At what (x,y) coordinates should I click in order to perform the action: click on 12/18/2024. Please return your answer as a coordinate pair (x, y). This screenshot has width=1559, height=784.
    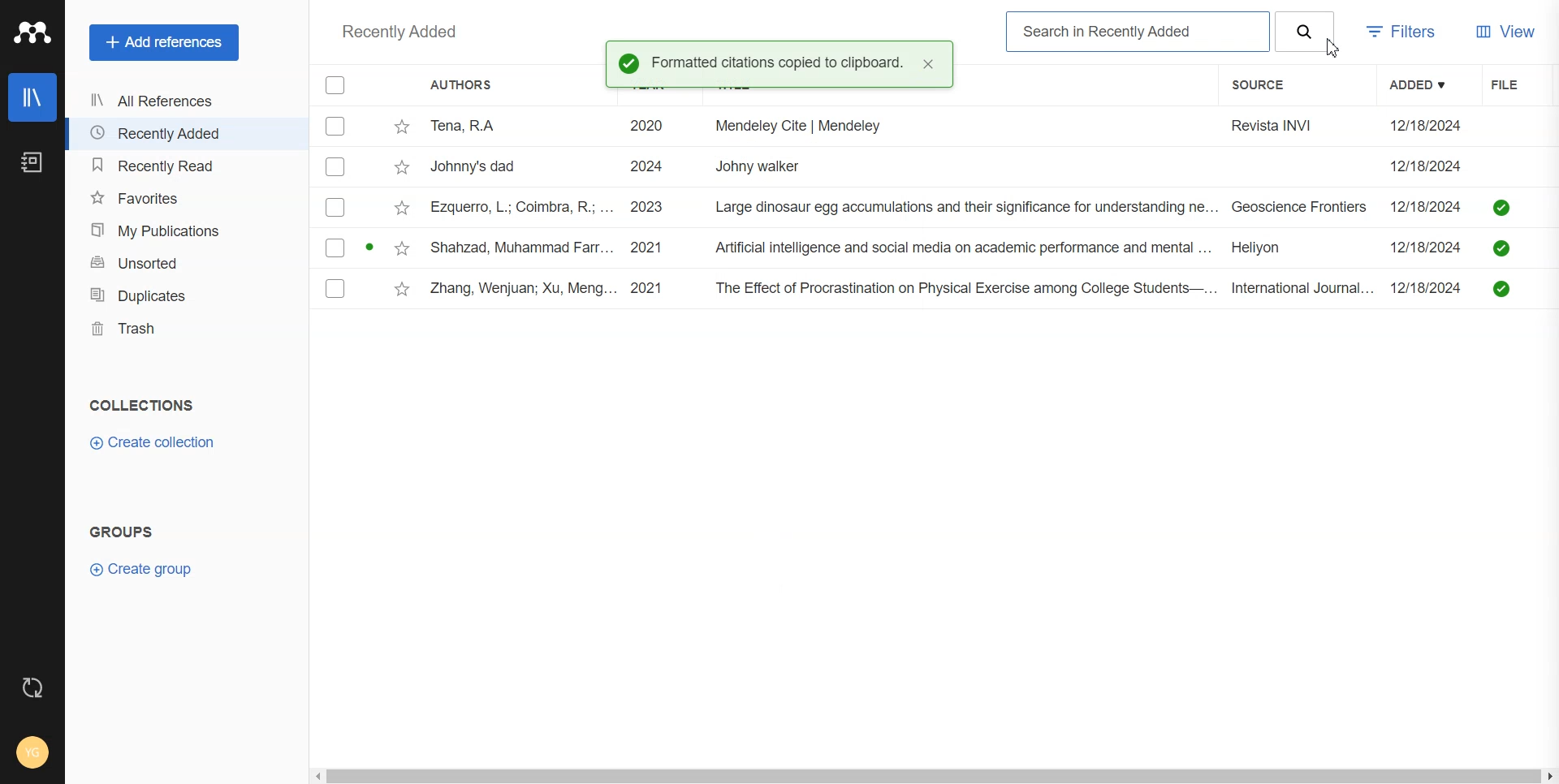
    Looking at the image, I should click on (1430, 288).